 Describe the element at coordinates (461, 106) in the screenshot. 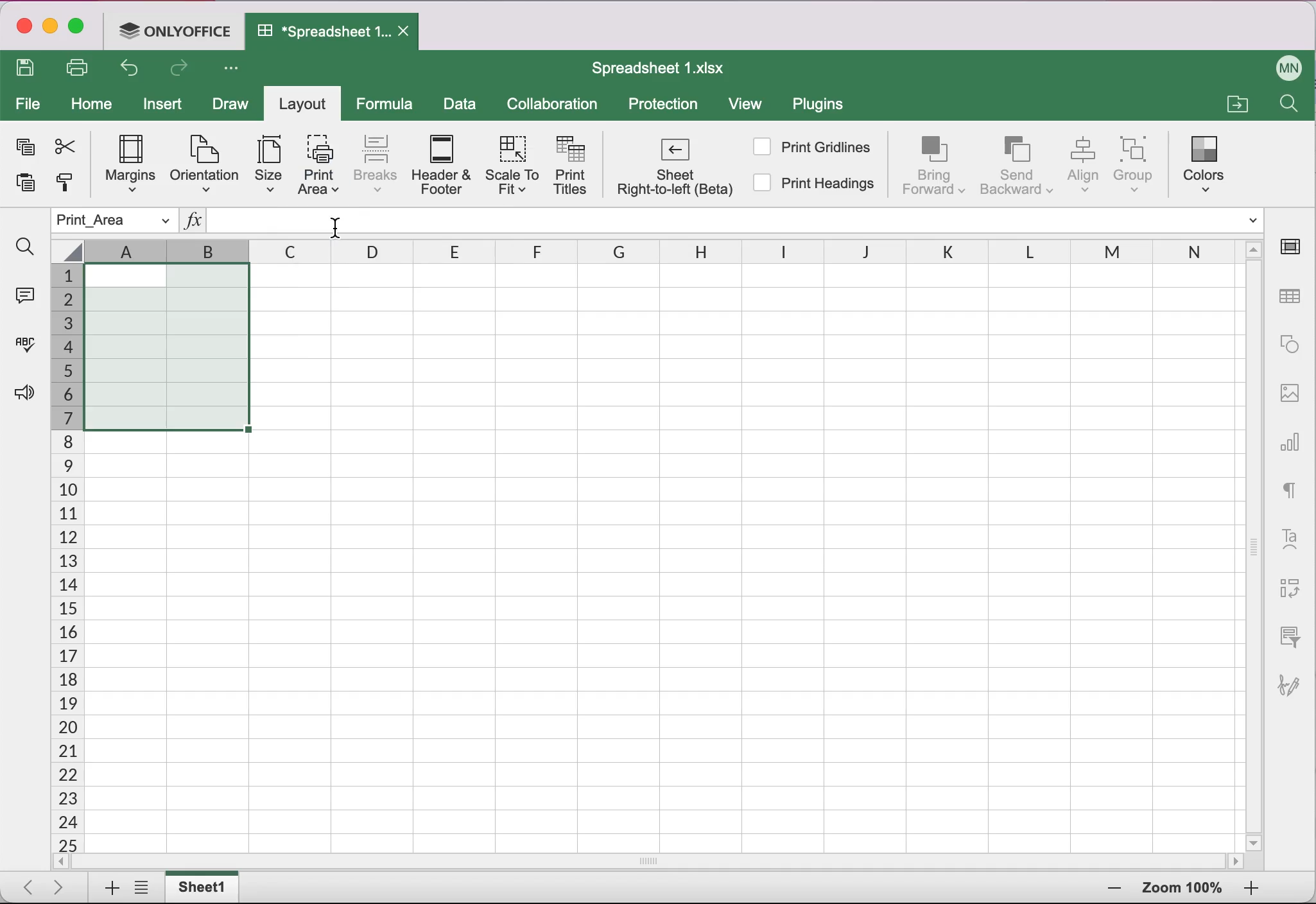

I see `data` at that location.